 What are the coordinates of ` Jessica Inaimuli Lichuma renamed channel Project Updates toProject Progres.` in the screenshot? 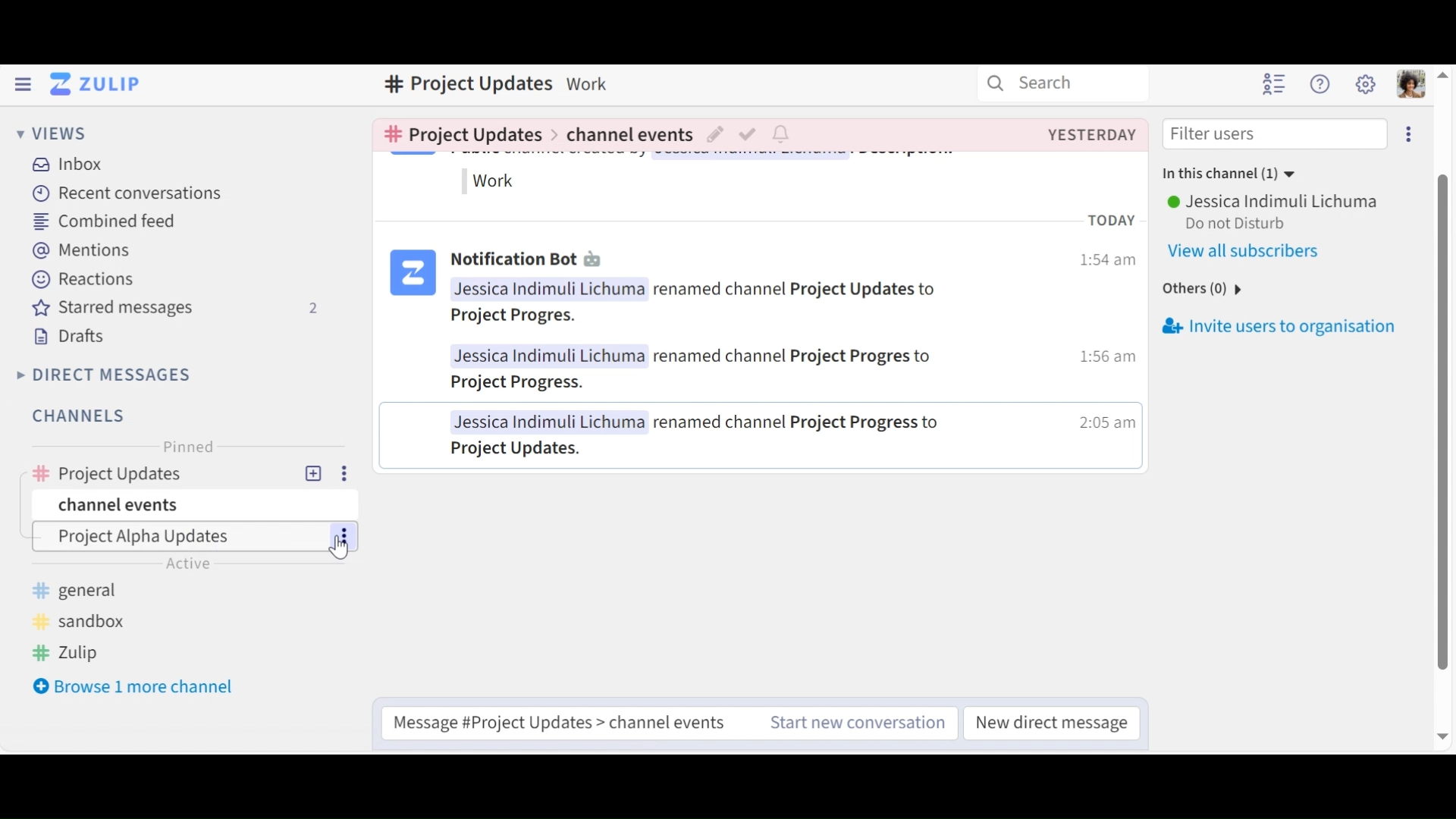 It's located at (695, 304).